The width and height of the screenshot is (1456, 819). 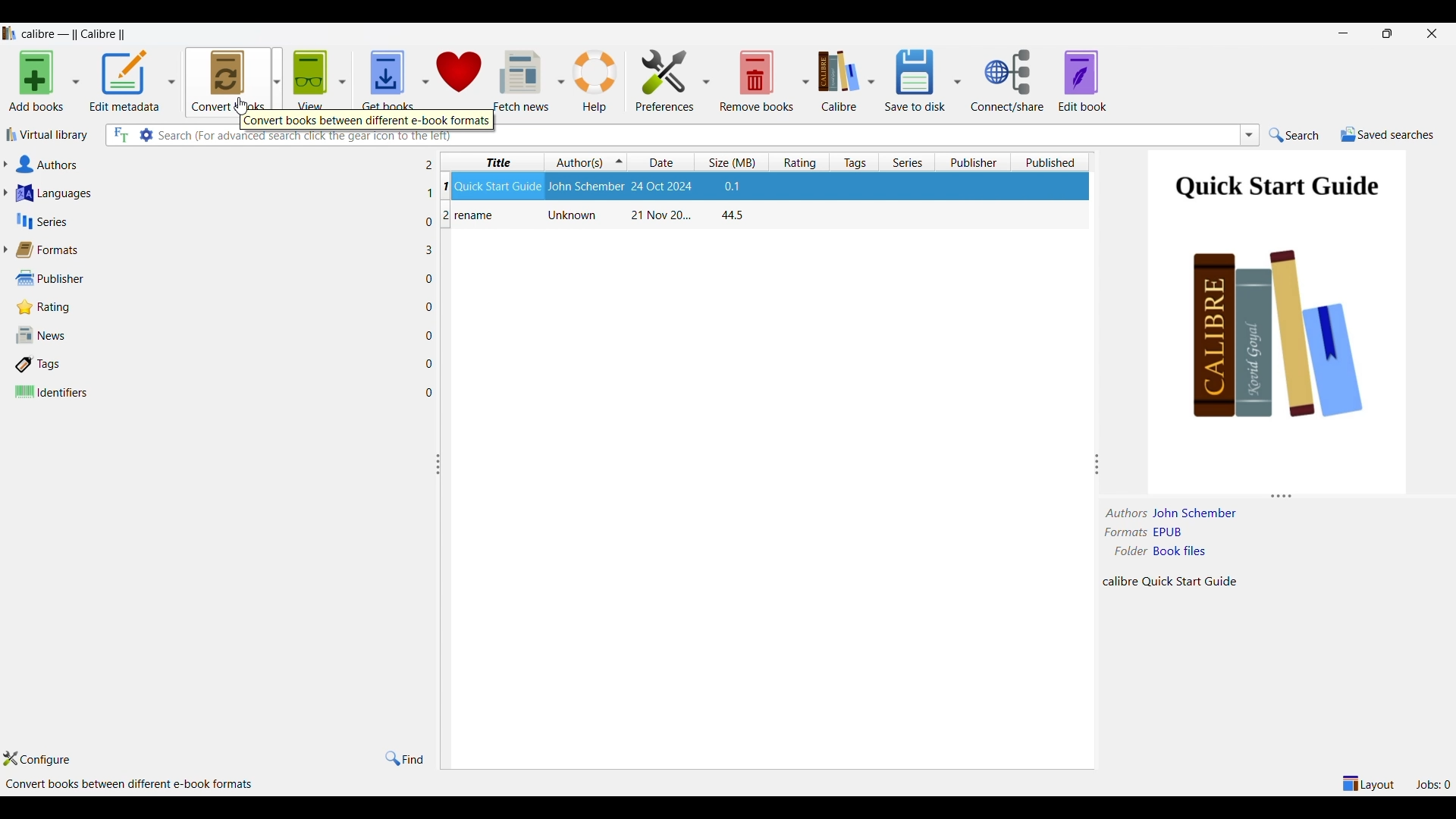 What do you see at coordinates (228, 80) in the screenshot?
I see `Convert books` at bounding box center [228, 80].